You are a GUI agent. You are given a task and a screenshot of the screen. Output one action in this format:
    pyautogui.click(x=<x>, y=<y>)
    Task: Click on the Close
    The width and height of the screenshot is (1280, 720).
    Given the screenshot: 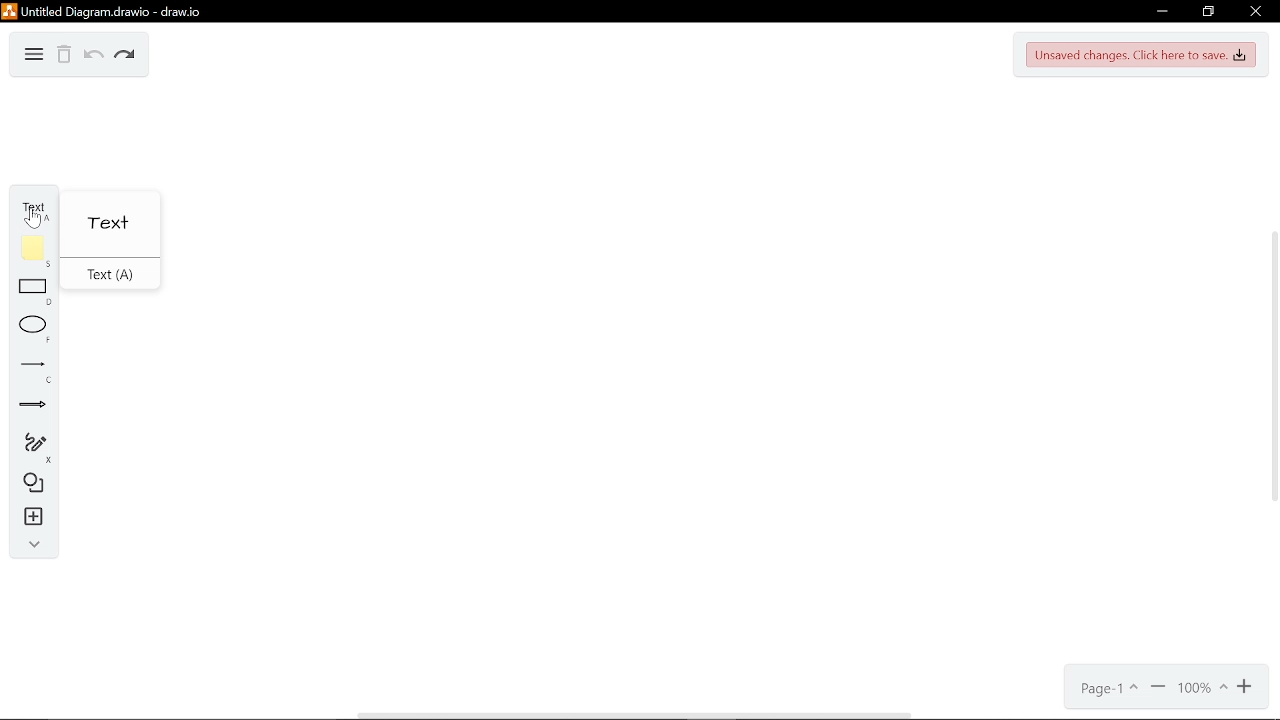 What is the action you would take?
    pyautogui.click(x=1254, y=12)
    